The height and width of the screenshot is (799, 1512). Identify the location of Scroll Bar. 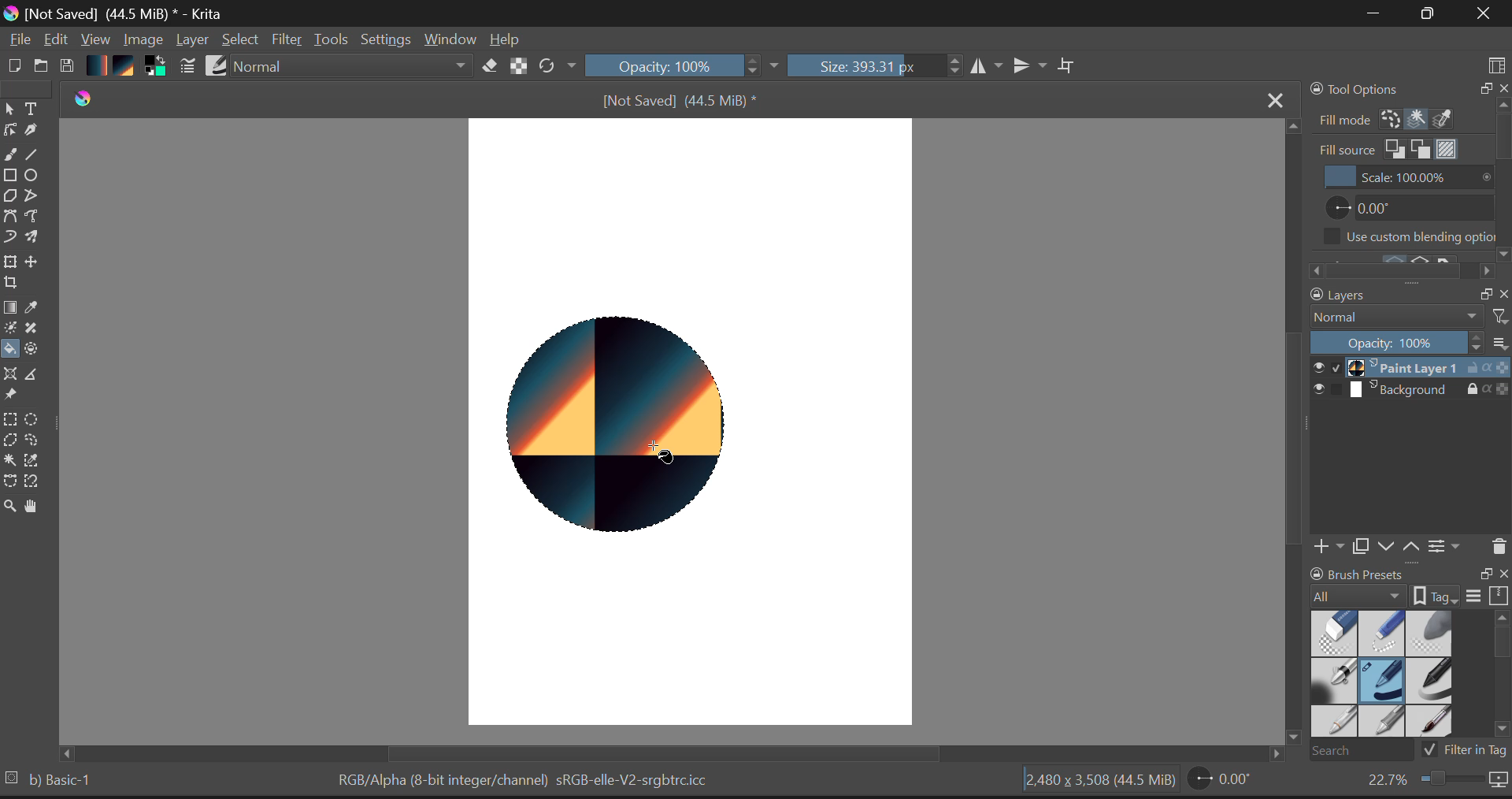
(679, 753).